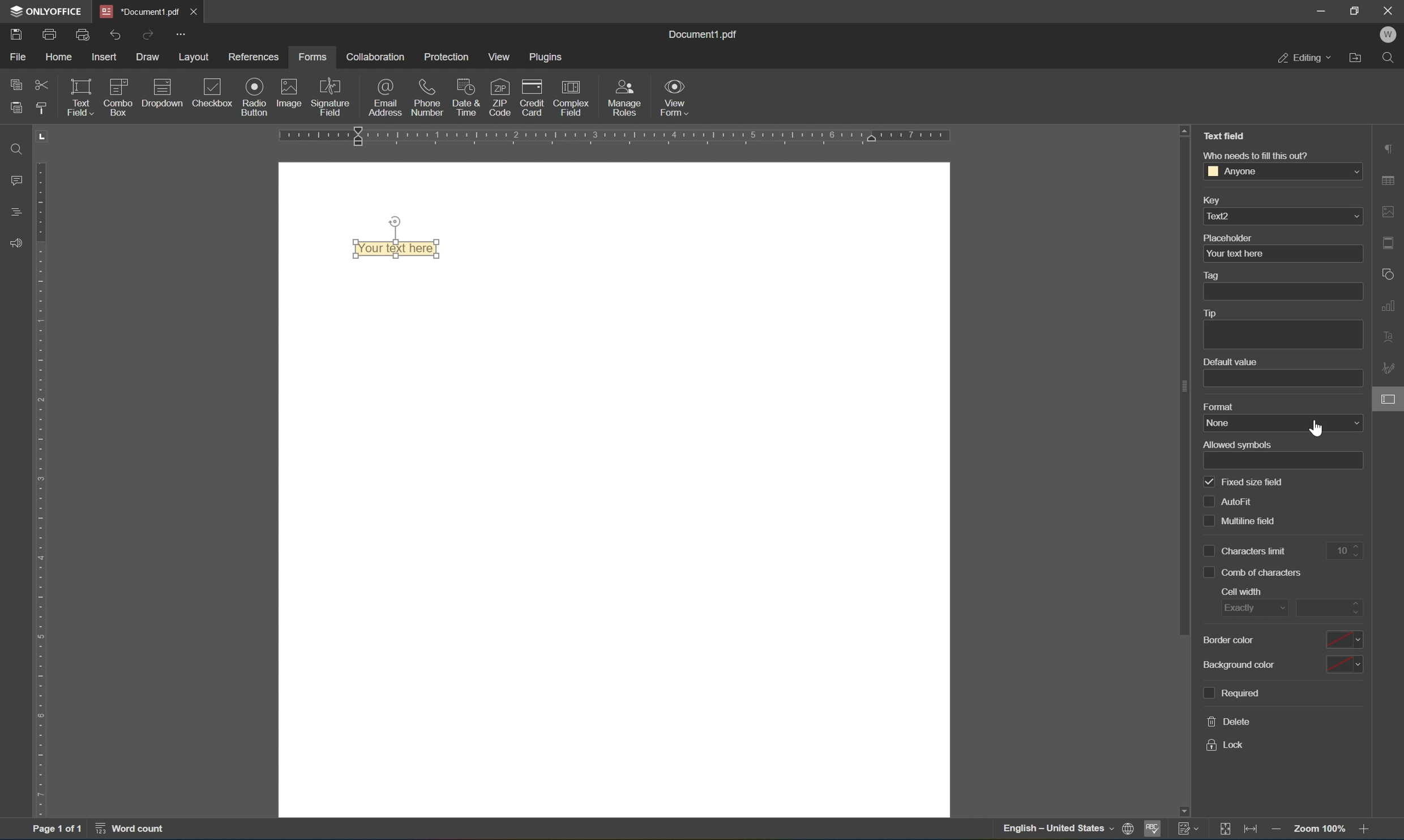  What do you see at coordinates (384, 98) in the screenshot?
I see `email address` at bounding box center [384, 98].